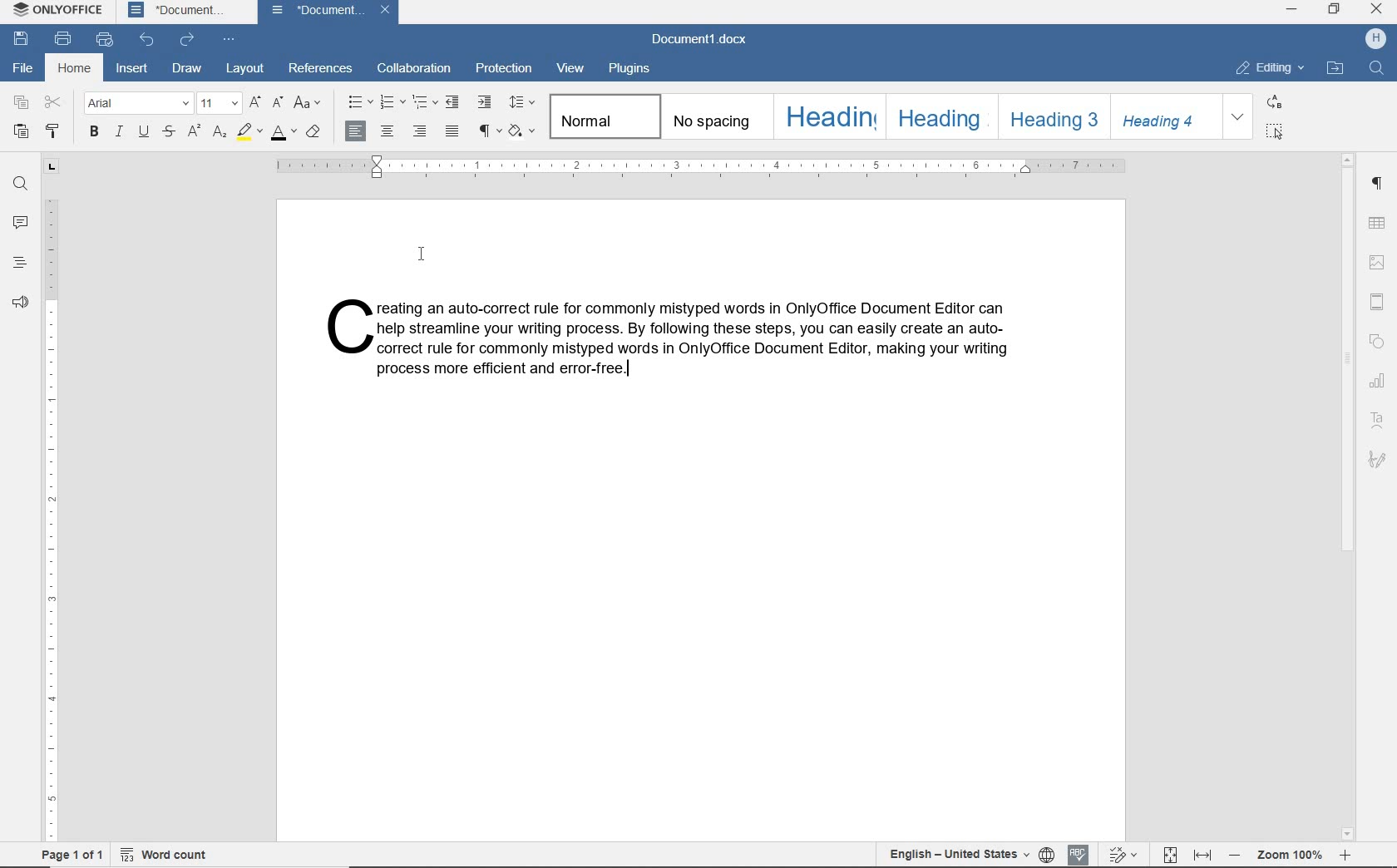  Describe the element at coordinates (1163, 116) in the screenshot. I see `HEADING 4` at that location.